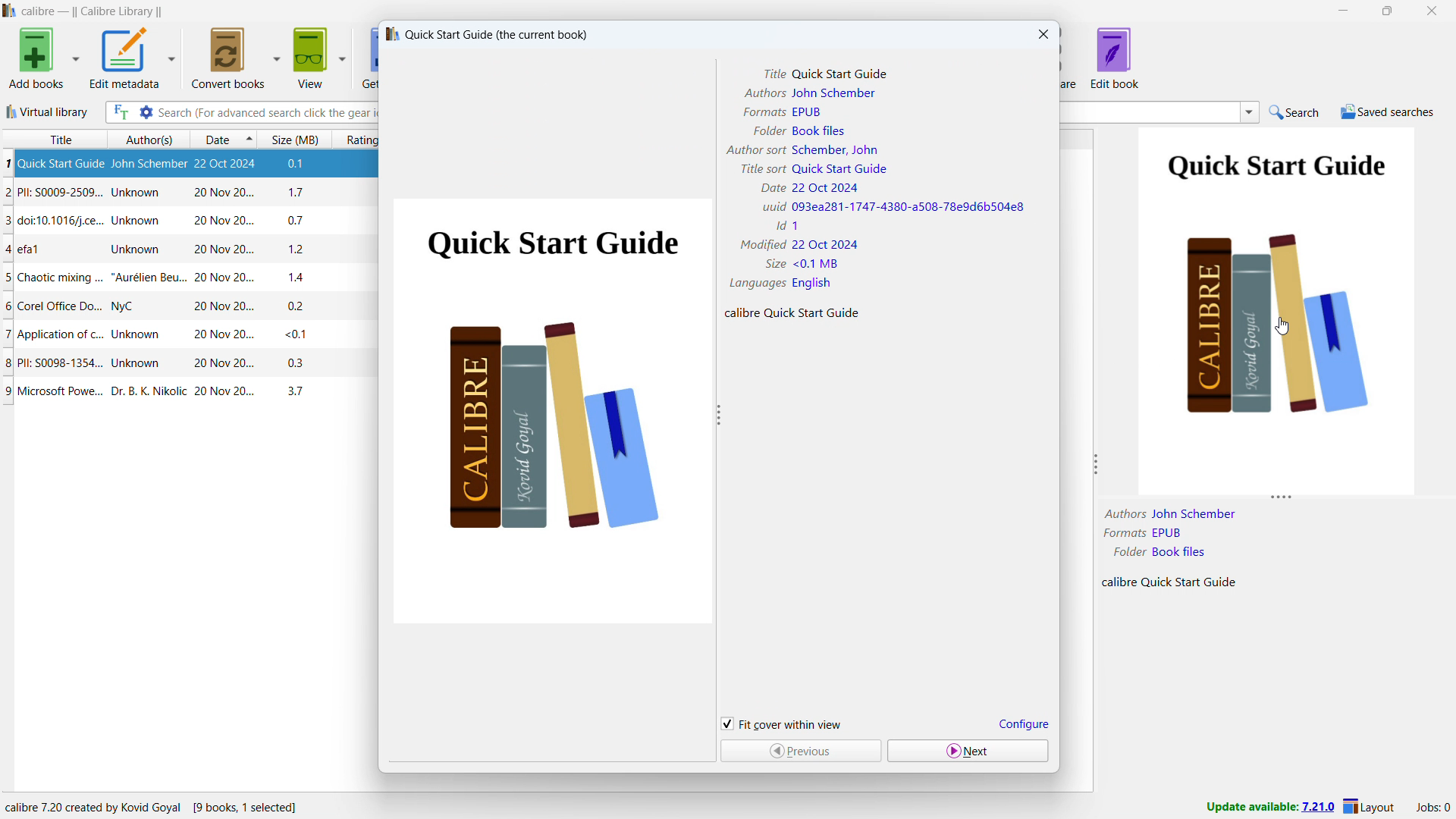 The height and width of the screenshot is (819, 1456). What do you see at coordinates (719, 416) in the screenshot?
I see `resize` at bounding box center [719, 416].